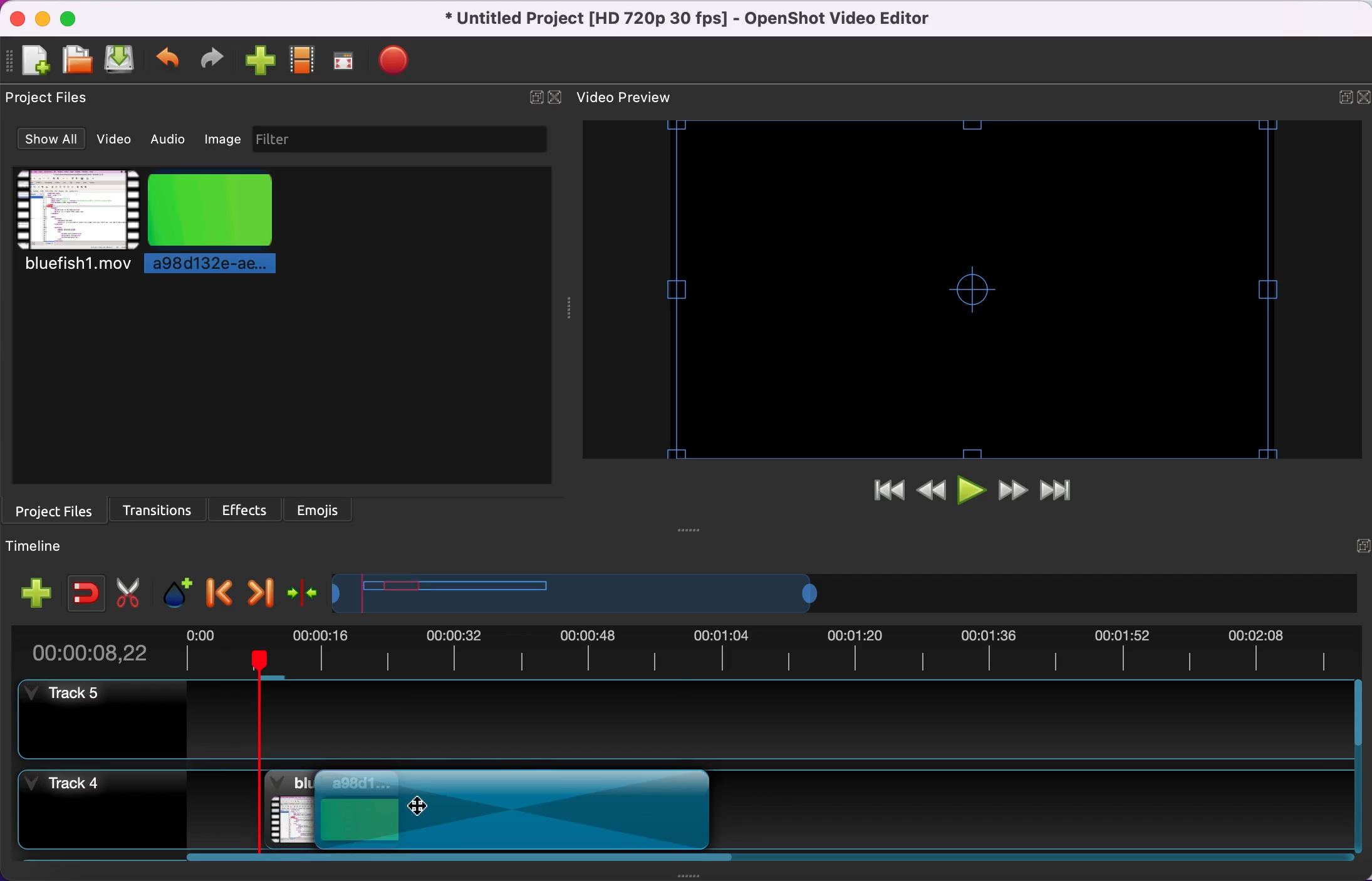  Describe the element at coordinates (42, 18) in the screenshot. I see `minimize` at that location.